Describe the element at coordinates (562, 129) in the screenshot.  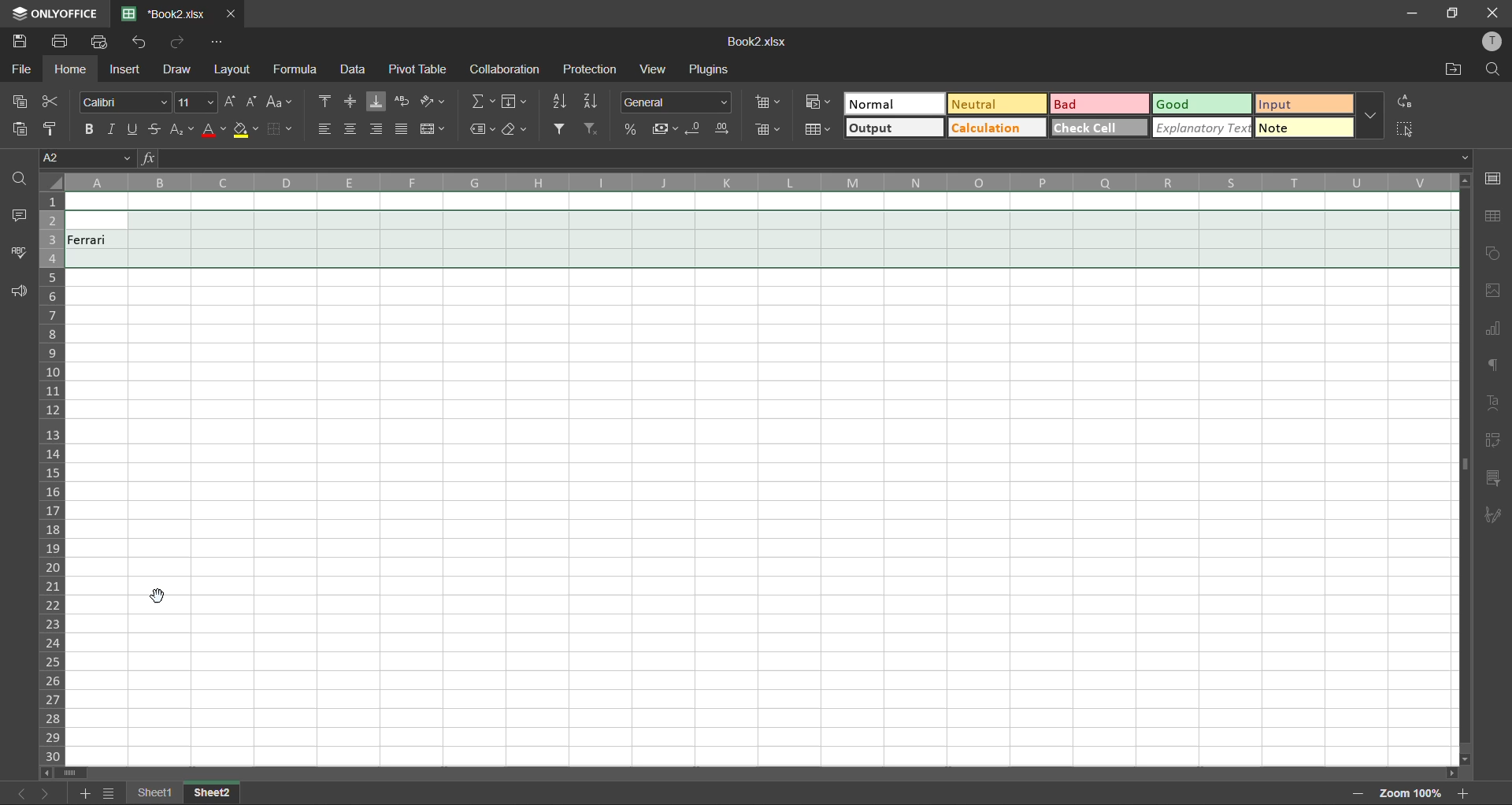
I see `filter` at that location.